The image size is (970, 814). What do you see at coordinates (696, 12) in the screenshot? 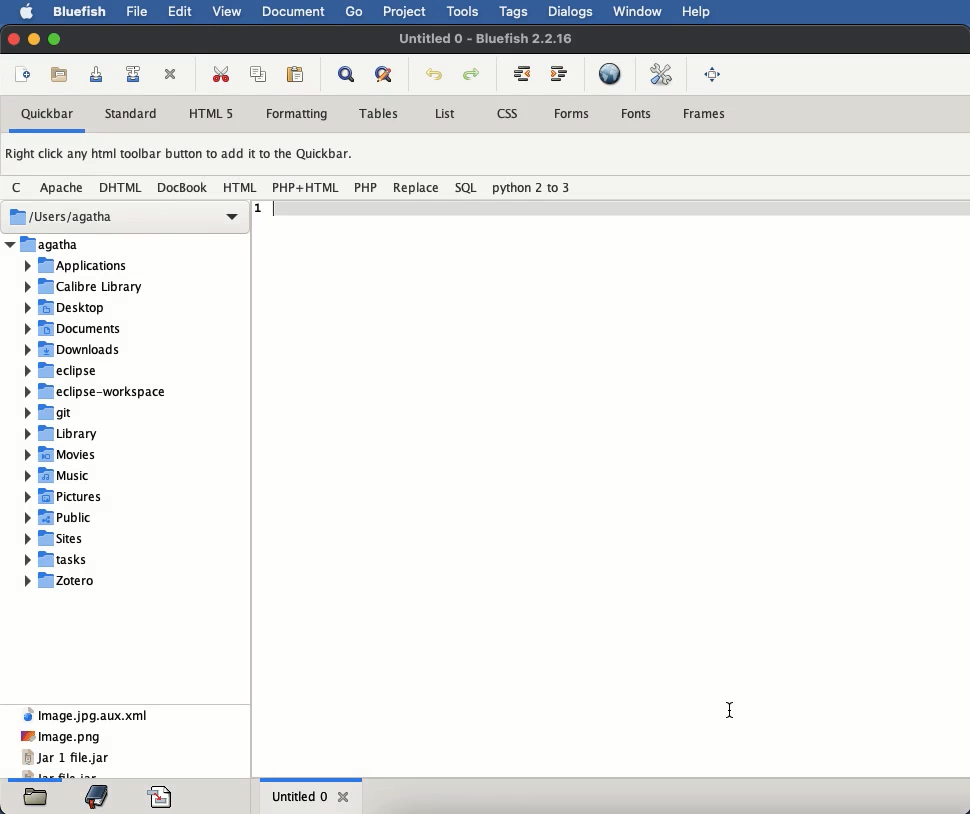
I see `help` at bounding box center [696, 12].